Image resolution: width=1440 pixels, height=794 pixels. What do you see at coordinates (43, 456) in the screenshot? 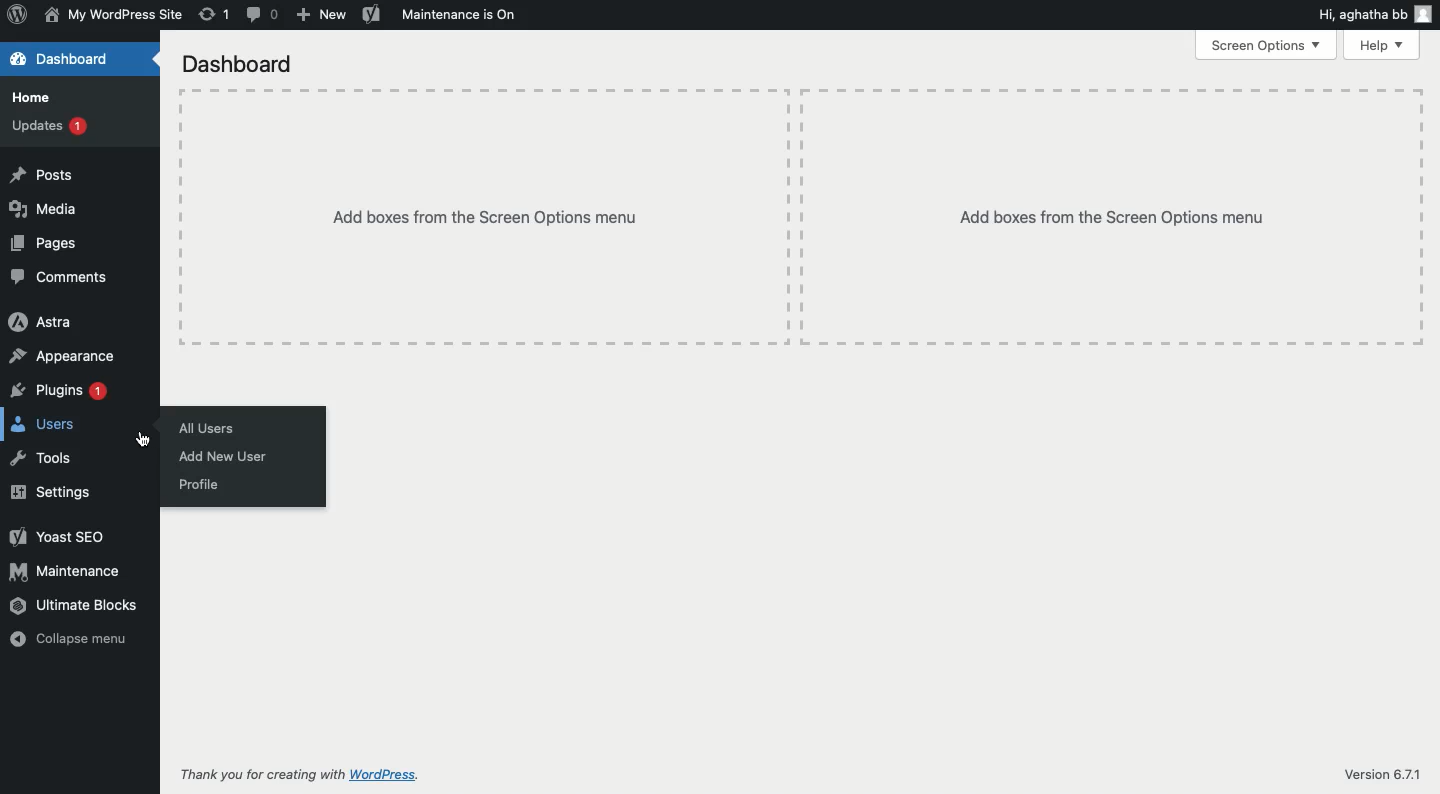
I see `Tools` at bounding box center [43, 456].